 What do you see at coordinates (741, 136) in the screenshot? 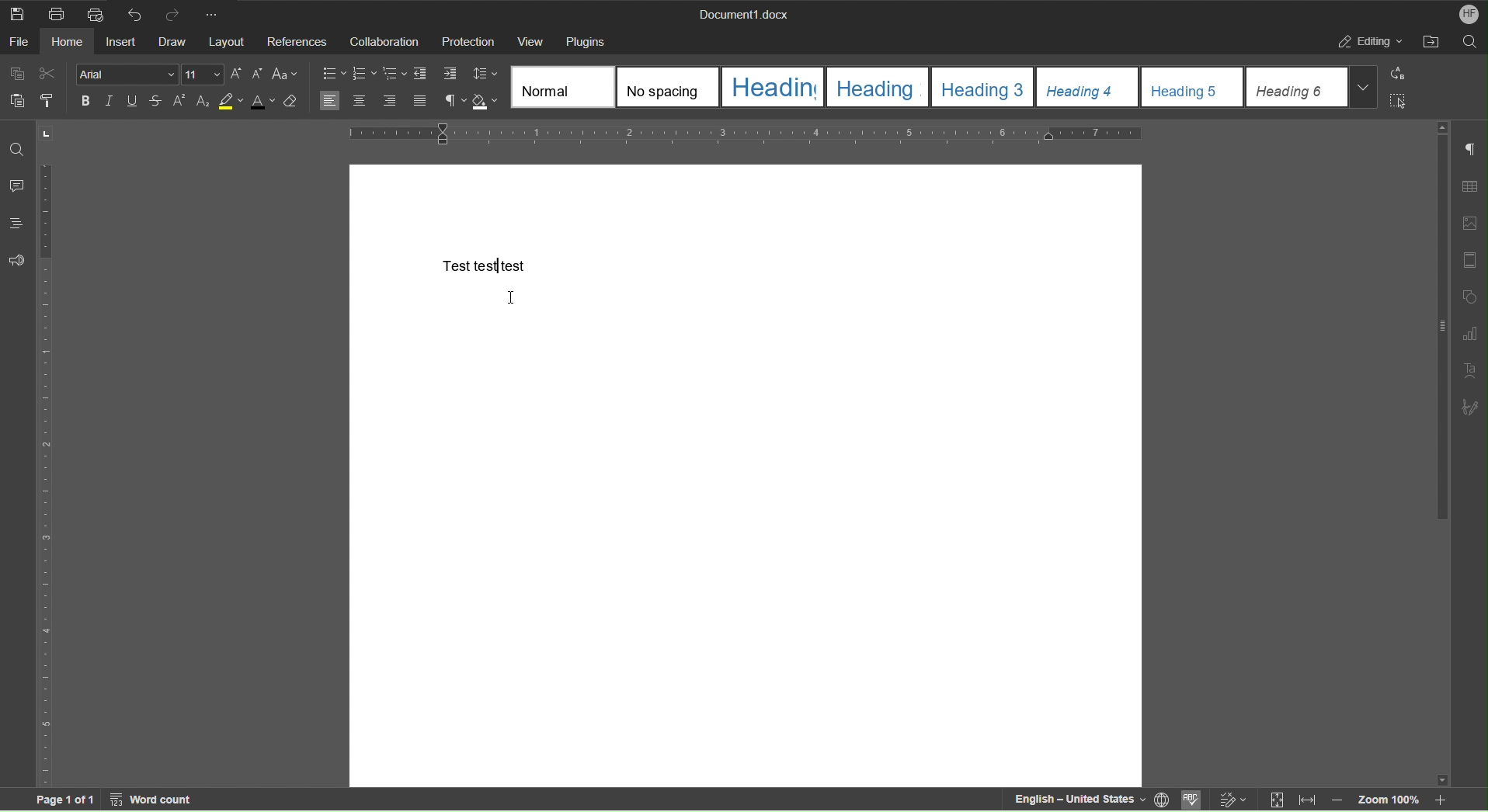
I see `Horizontal Ruler` at bounding box center [741, 136].